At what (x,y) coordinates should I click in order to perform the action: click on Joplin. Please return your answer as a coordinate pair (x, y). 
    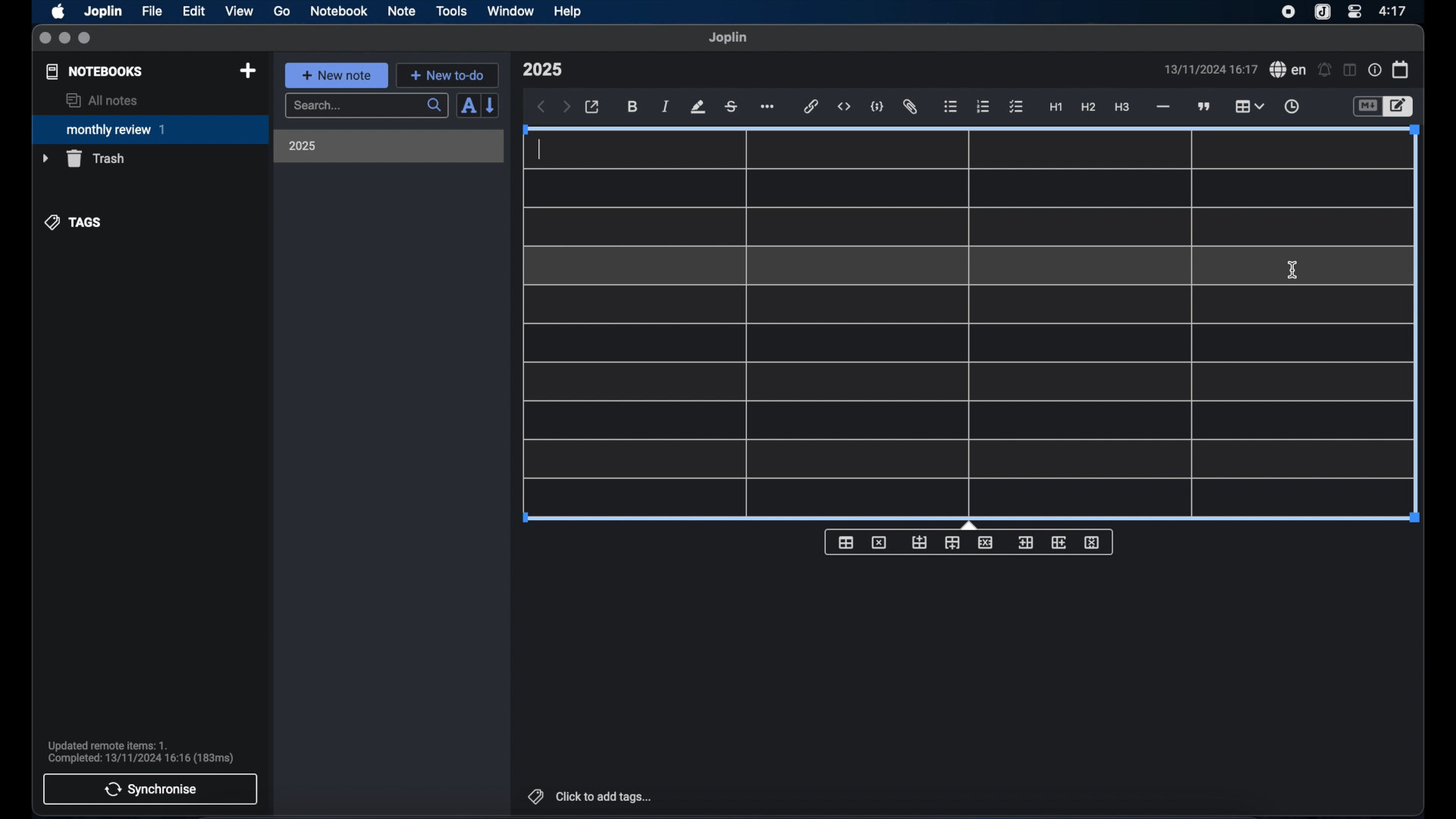
    Looking at the image, I should click on (105, 12).